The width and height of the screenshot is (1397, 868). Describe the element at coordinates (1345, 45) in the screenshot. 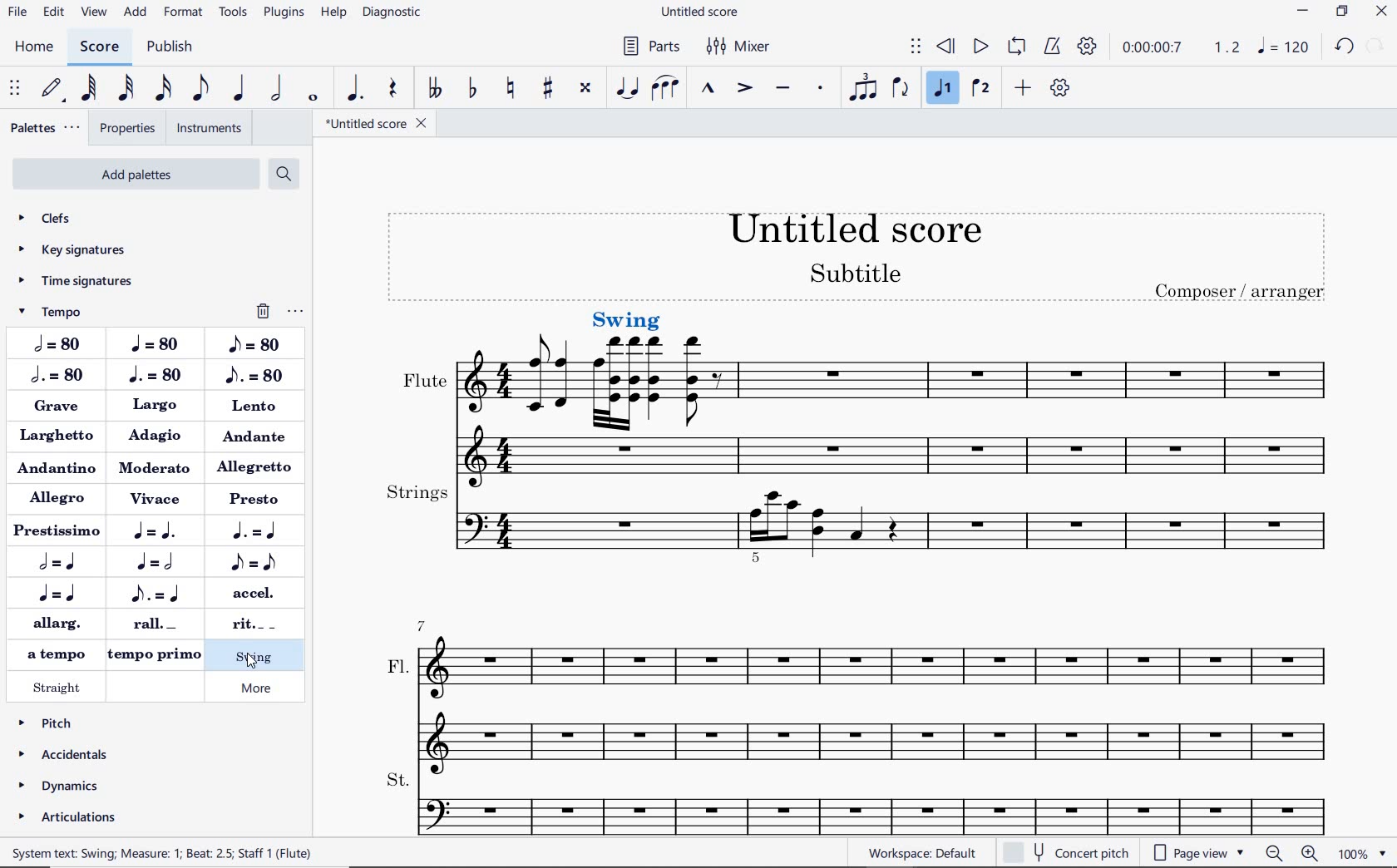

I see `undo` at that location.